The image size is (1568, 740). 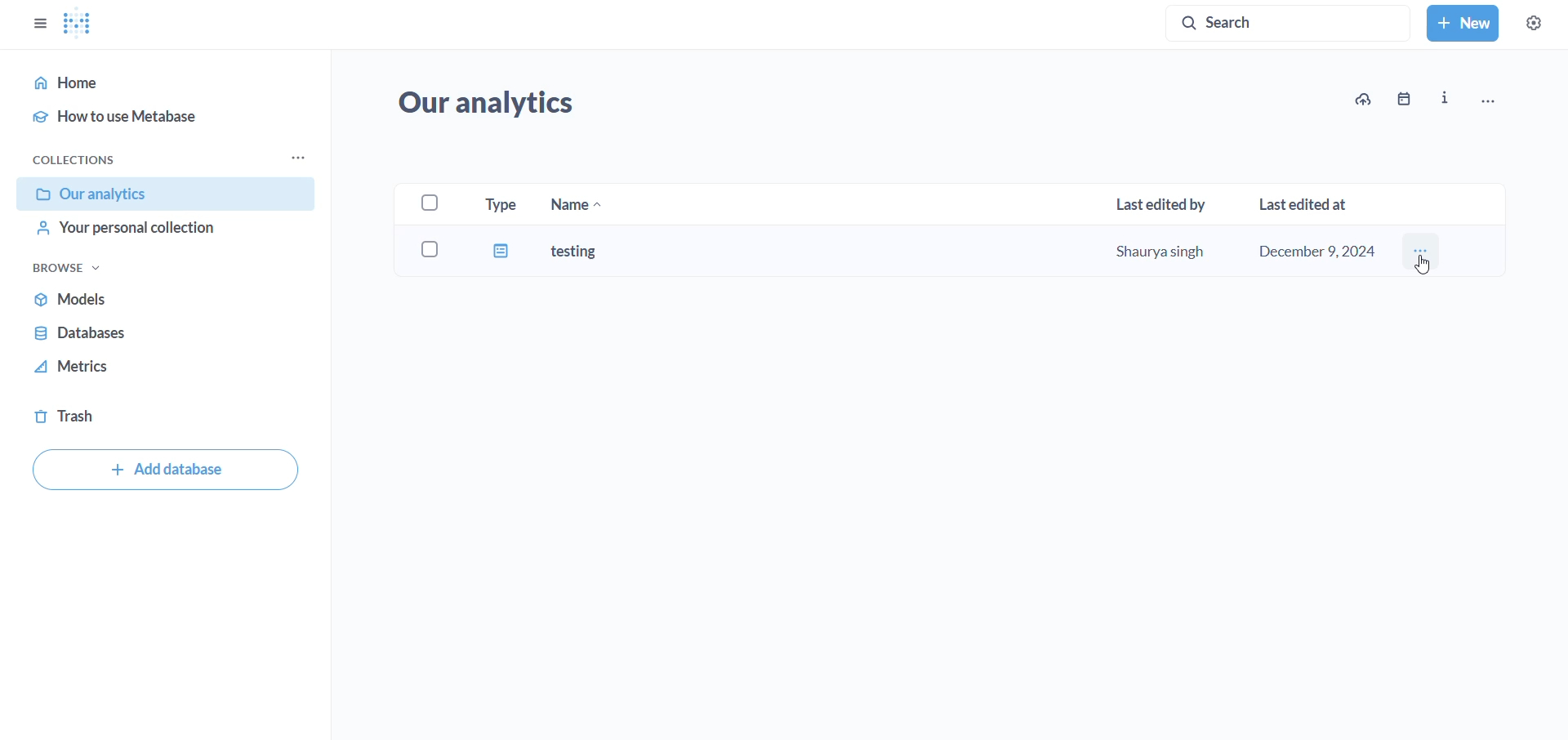 I want to click on last edited by, so click(x=1166, y=202).